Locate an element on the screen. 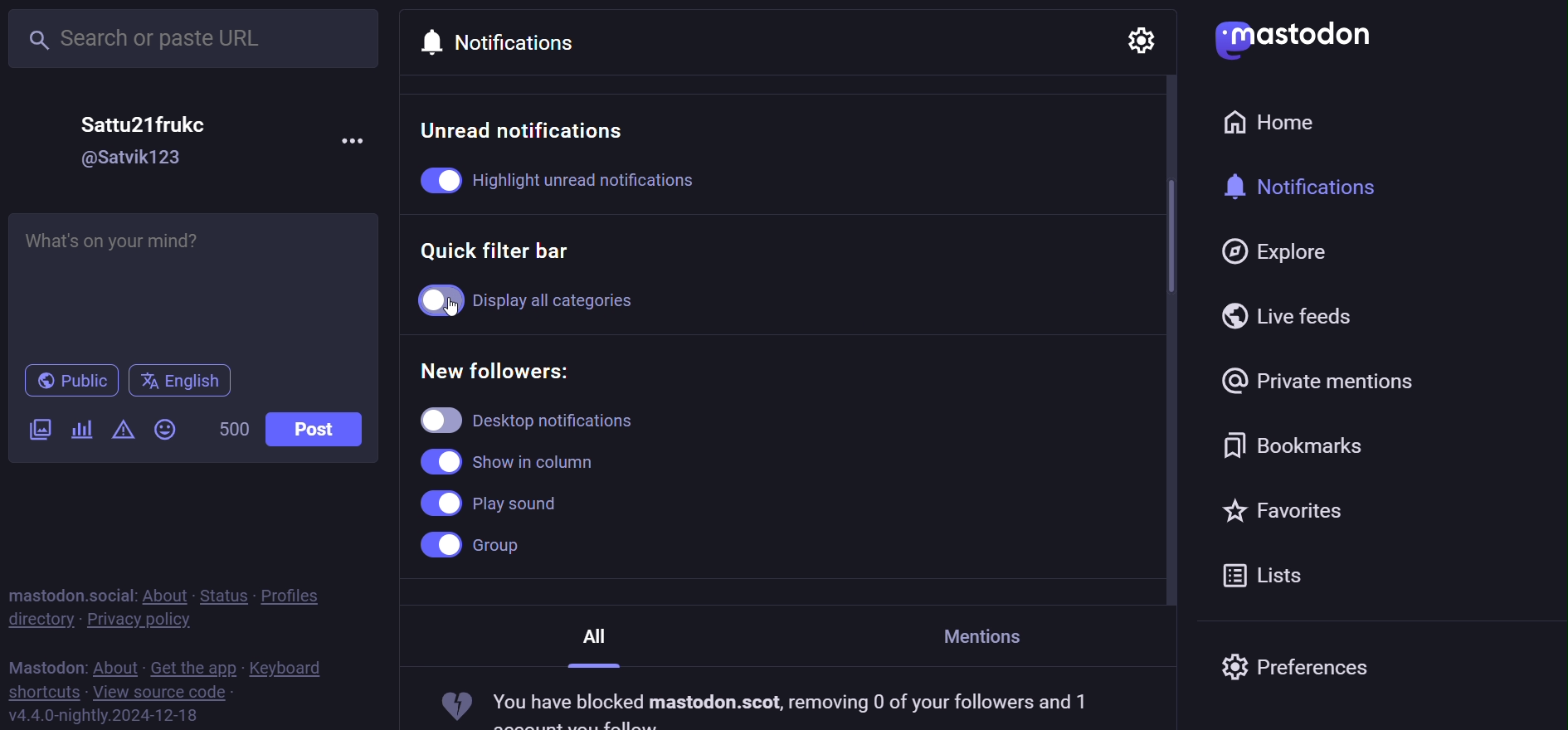 This screenshot has height=730, width=1568. emoji is located at coordinates (166, 429).